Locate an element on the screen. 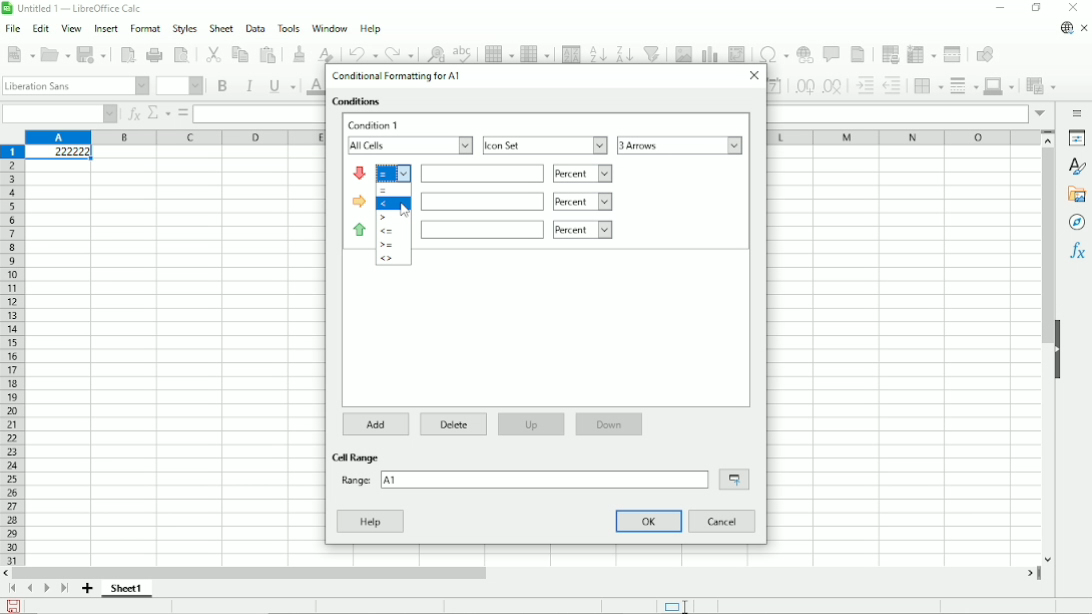  range: A1 is located at coordinates (522, 479).